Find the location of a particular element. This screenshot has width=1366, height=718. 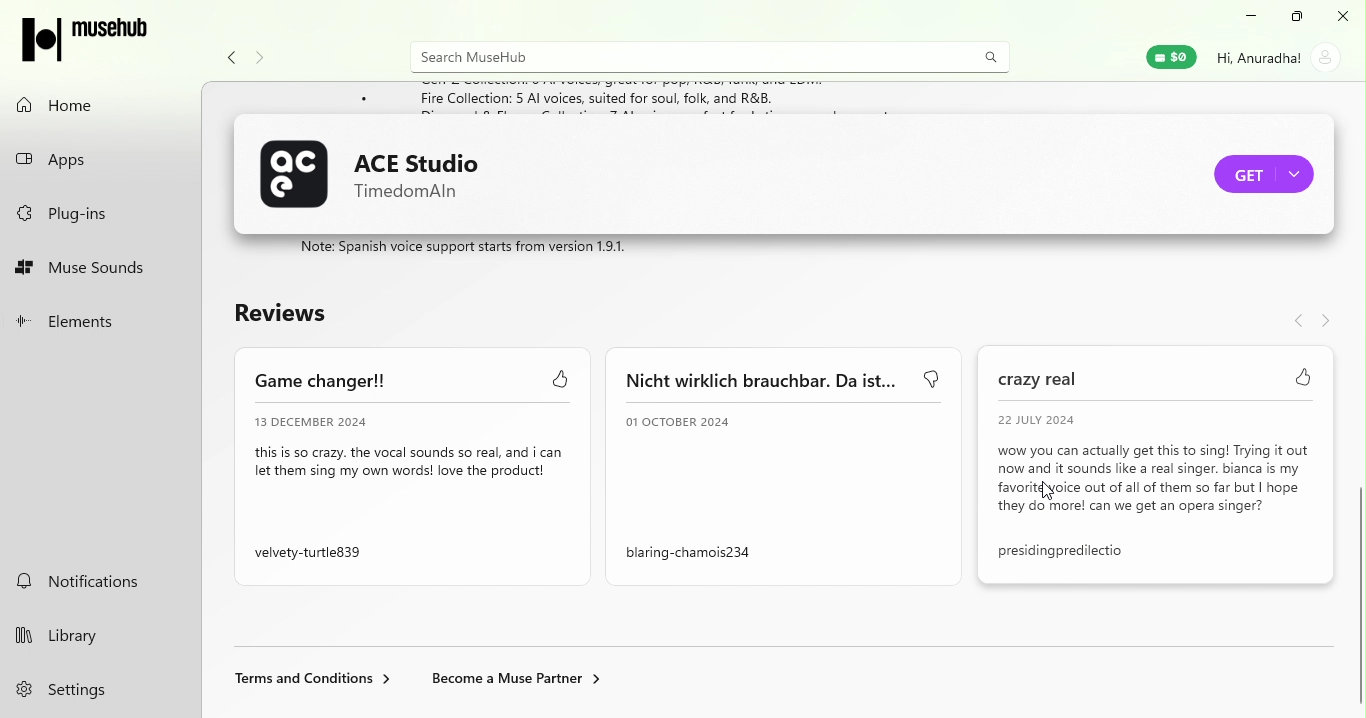

maximize is located at coordinates (1299, 17).